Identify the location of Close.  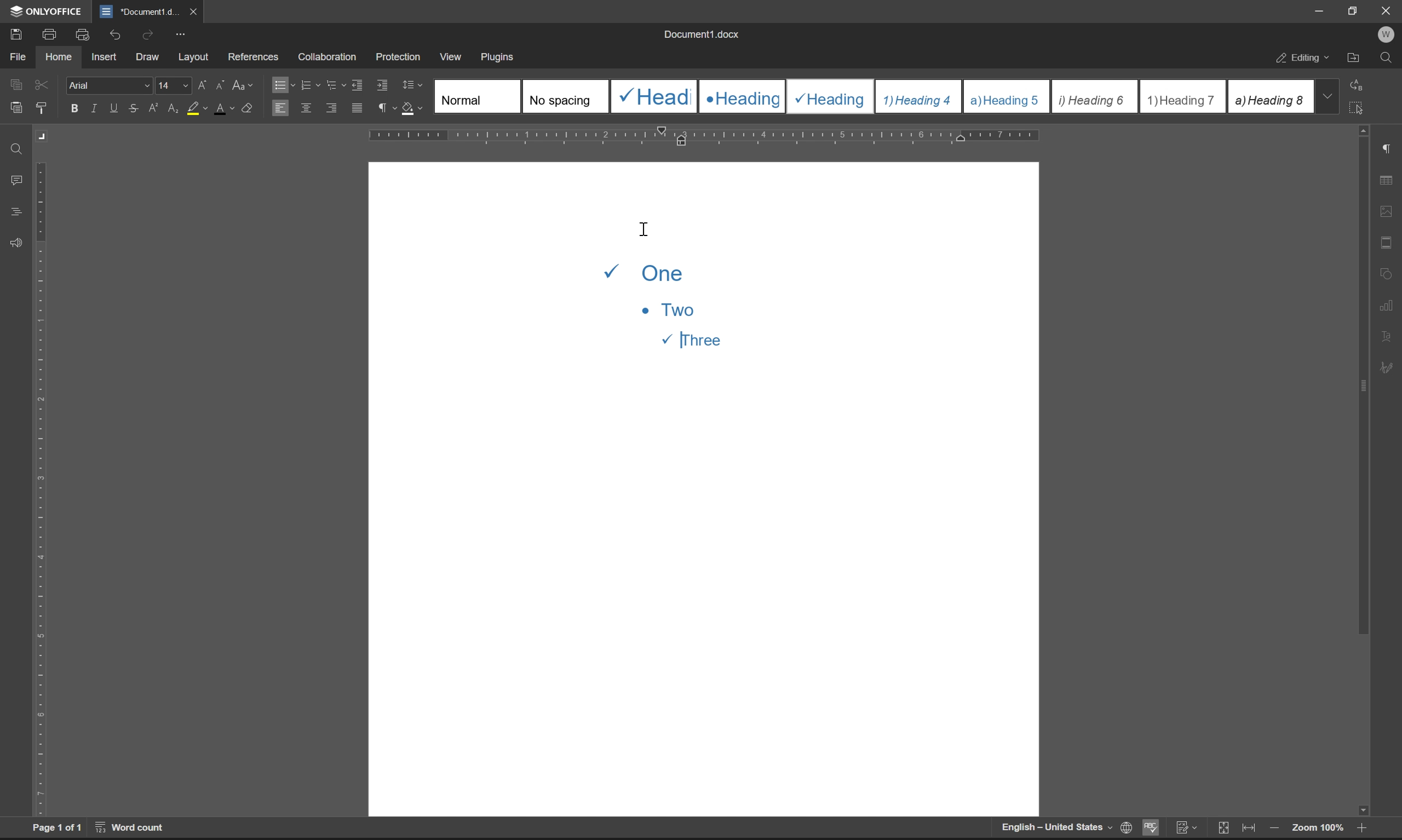
(1387, 11).